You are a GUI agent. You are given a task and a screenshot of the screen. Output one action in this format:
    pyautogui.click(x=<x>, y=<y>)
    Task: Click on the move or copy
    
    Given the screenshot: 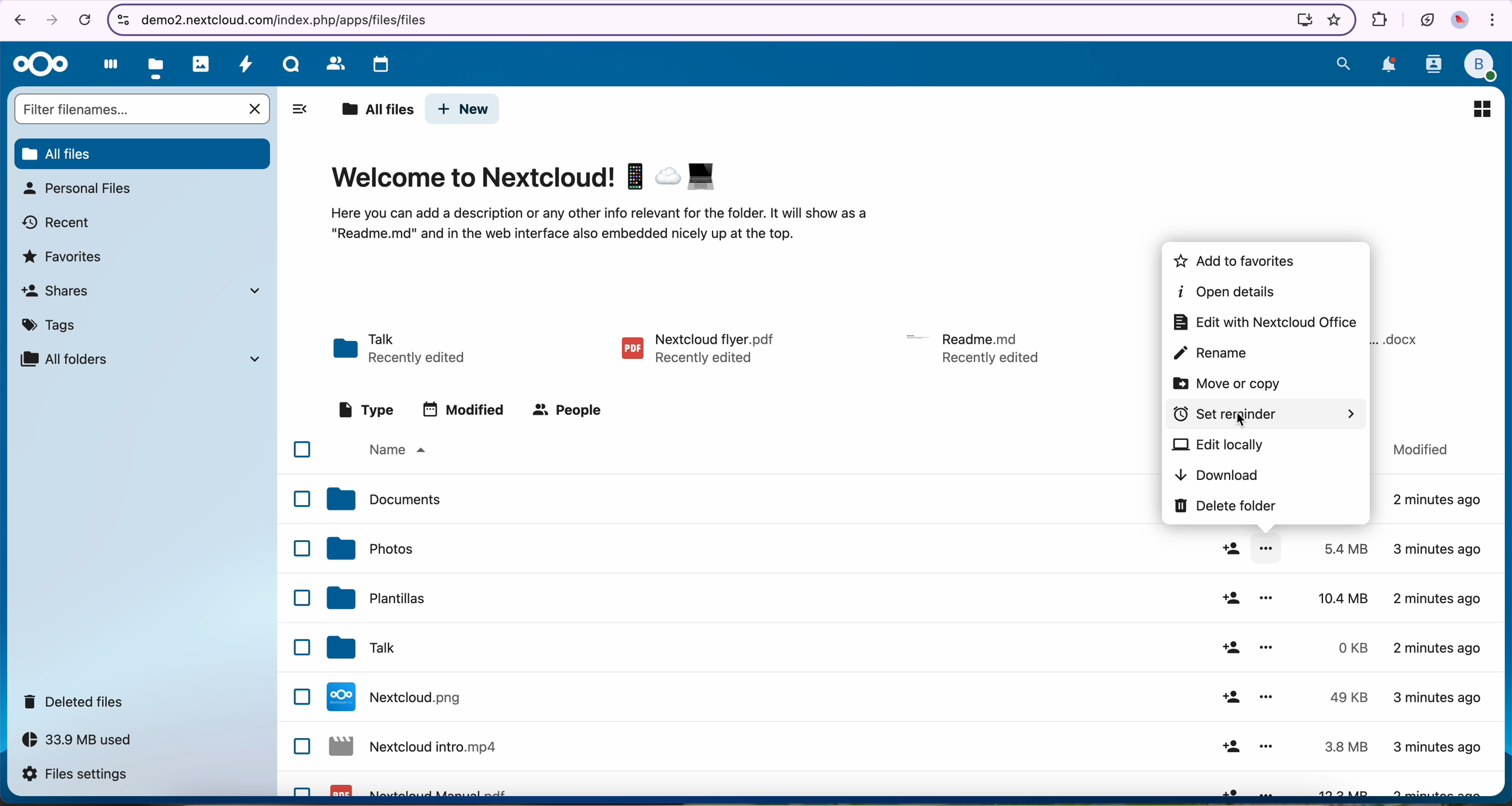 What is the action you would take?
    pyautogui.click(x=1230, y=384)
    